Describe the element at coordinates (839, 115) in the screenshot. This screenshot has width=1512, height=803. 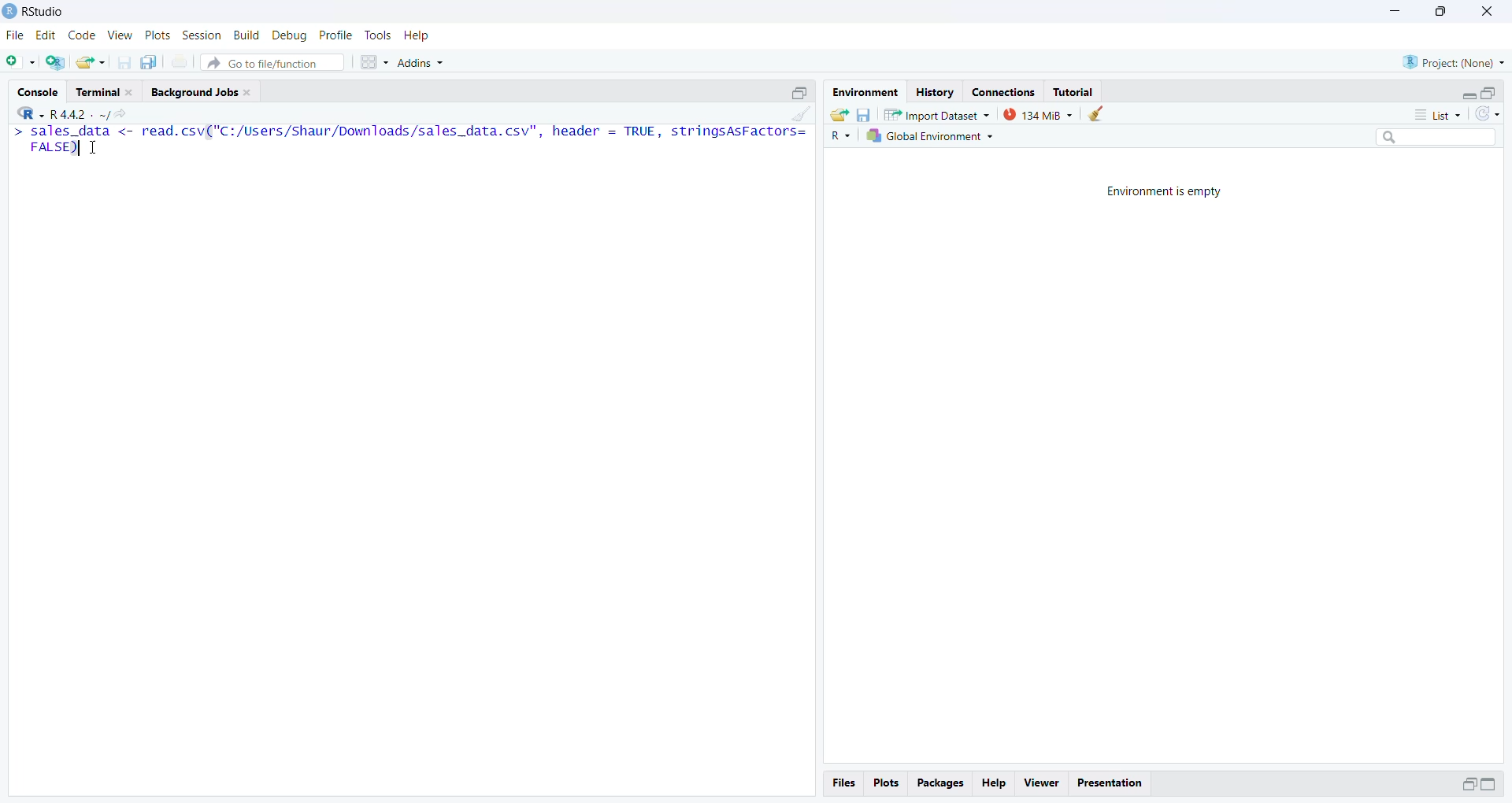
I see `Load workspace` at that location.